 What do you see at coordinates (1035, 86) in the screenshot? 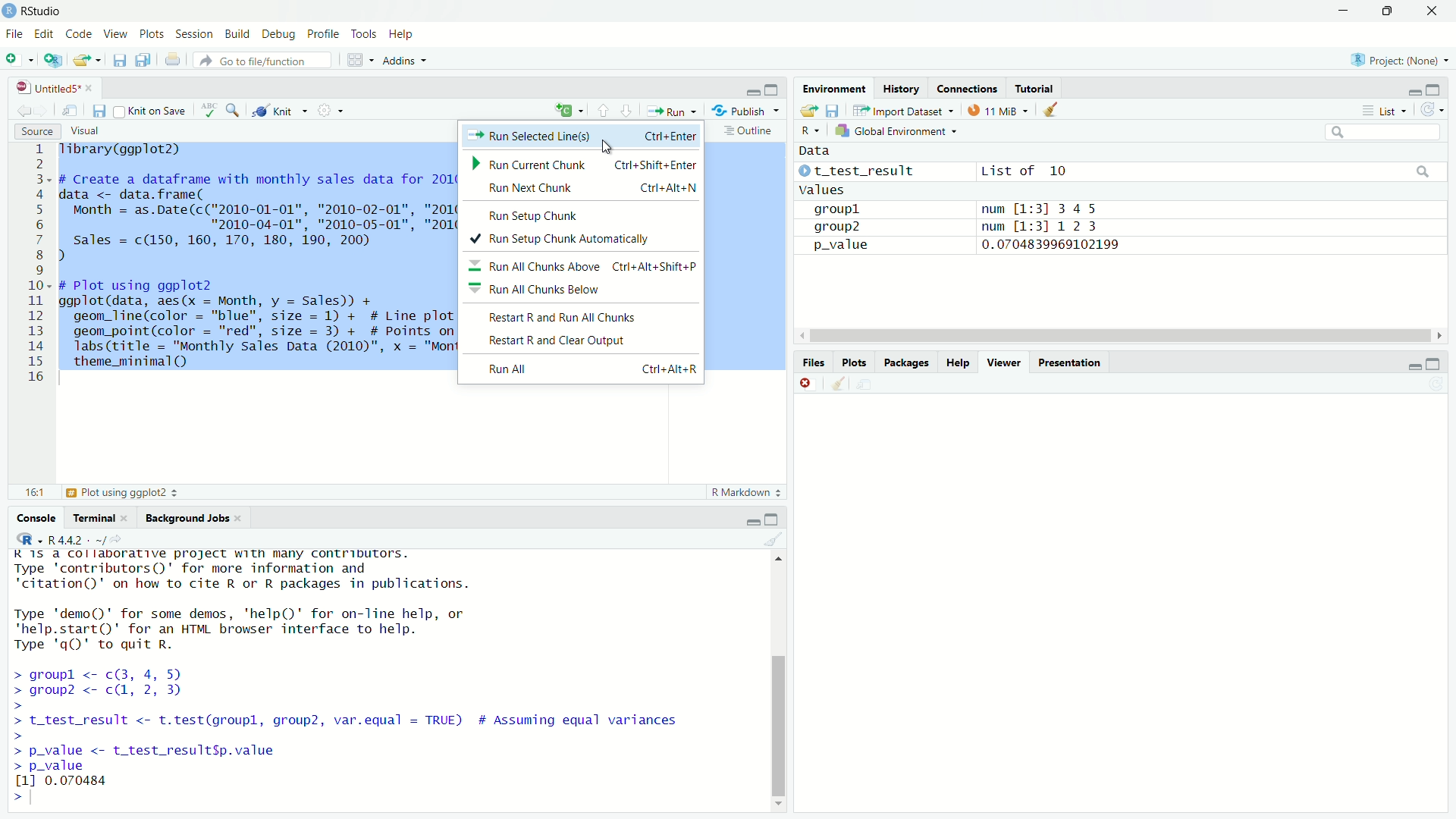
I see `Tutorial` at bounding box center [1035, 86].